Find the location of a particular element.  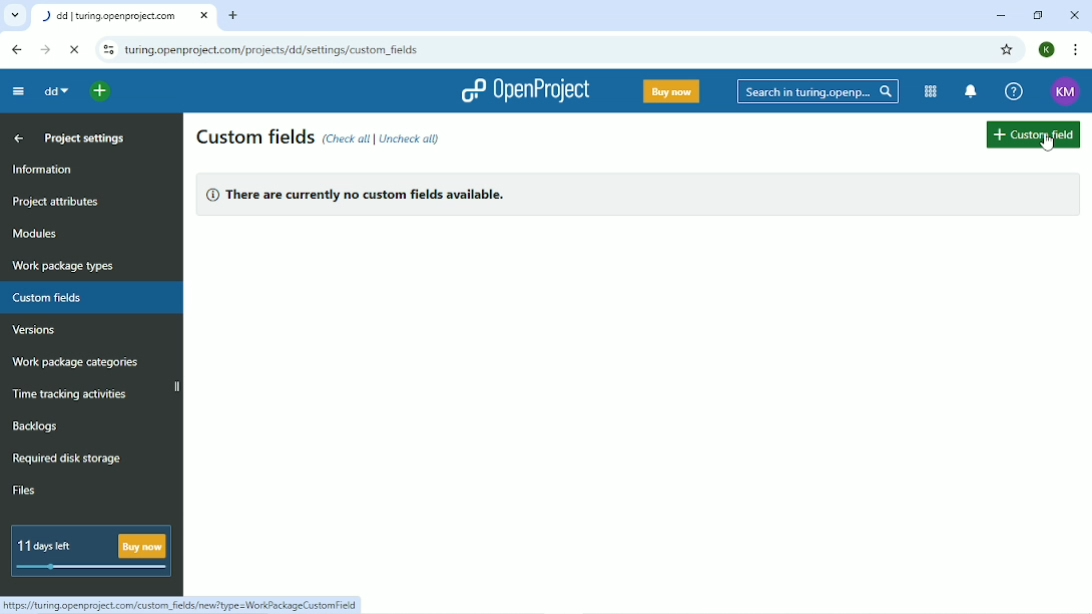

Time tracking activities is located at coordinates (72, 396).